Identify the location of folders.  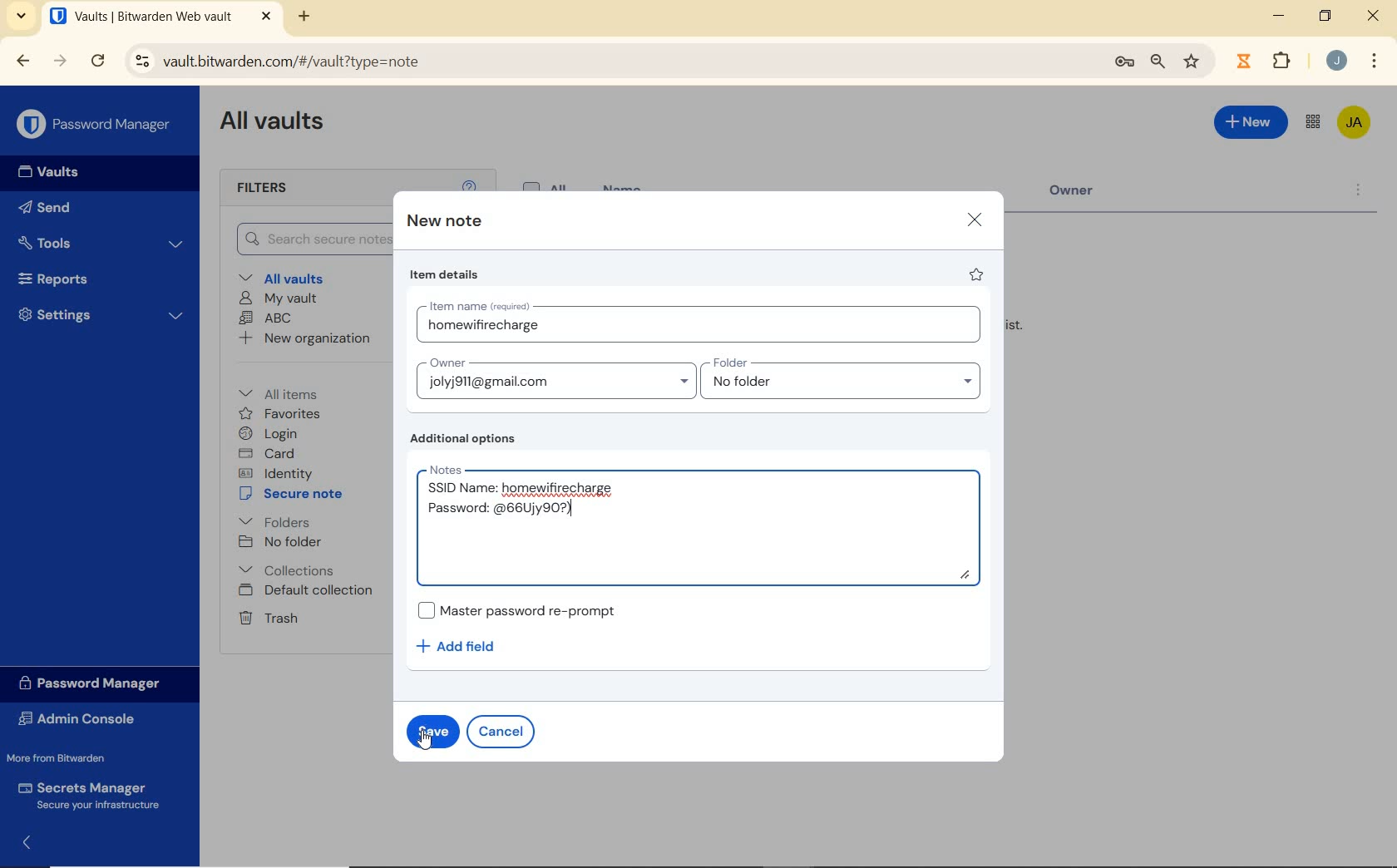
(274, 520).